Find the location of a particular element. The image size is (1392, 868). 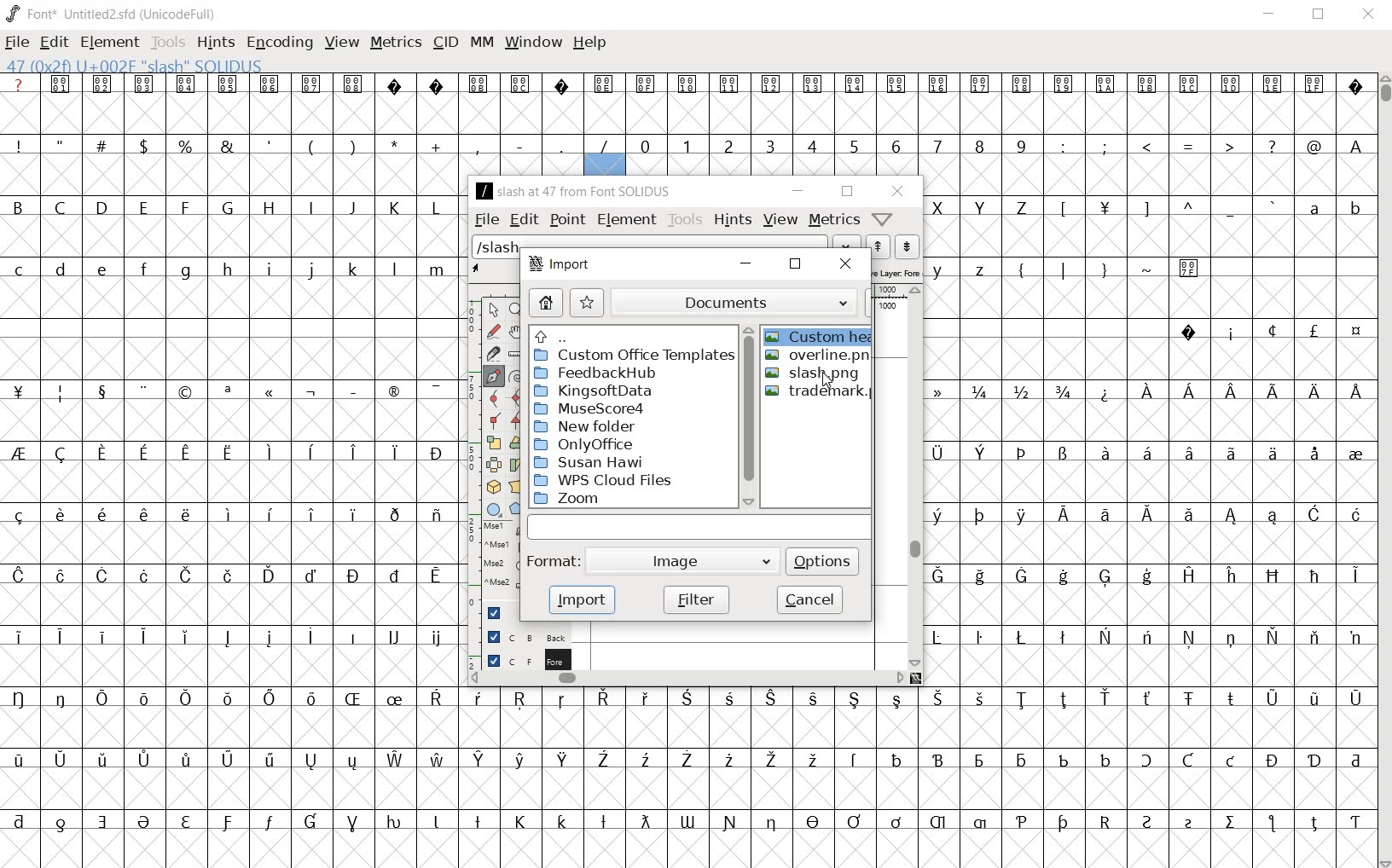

special letters is located at coordinates (1149, 512).